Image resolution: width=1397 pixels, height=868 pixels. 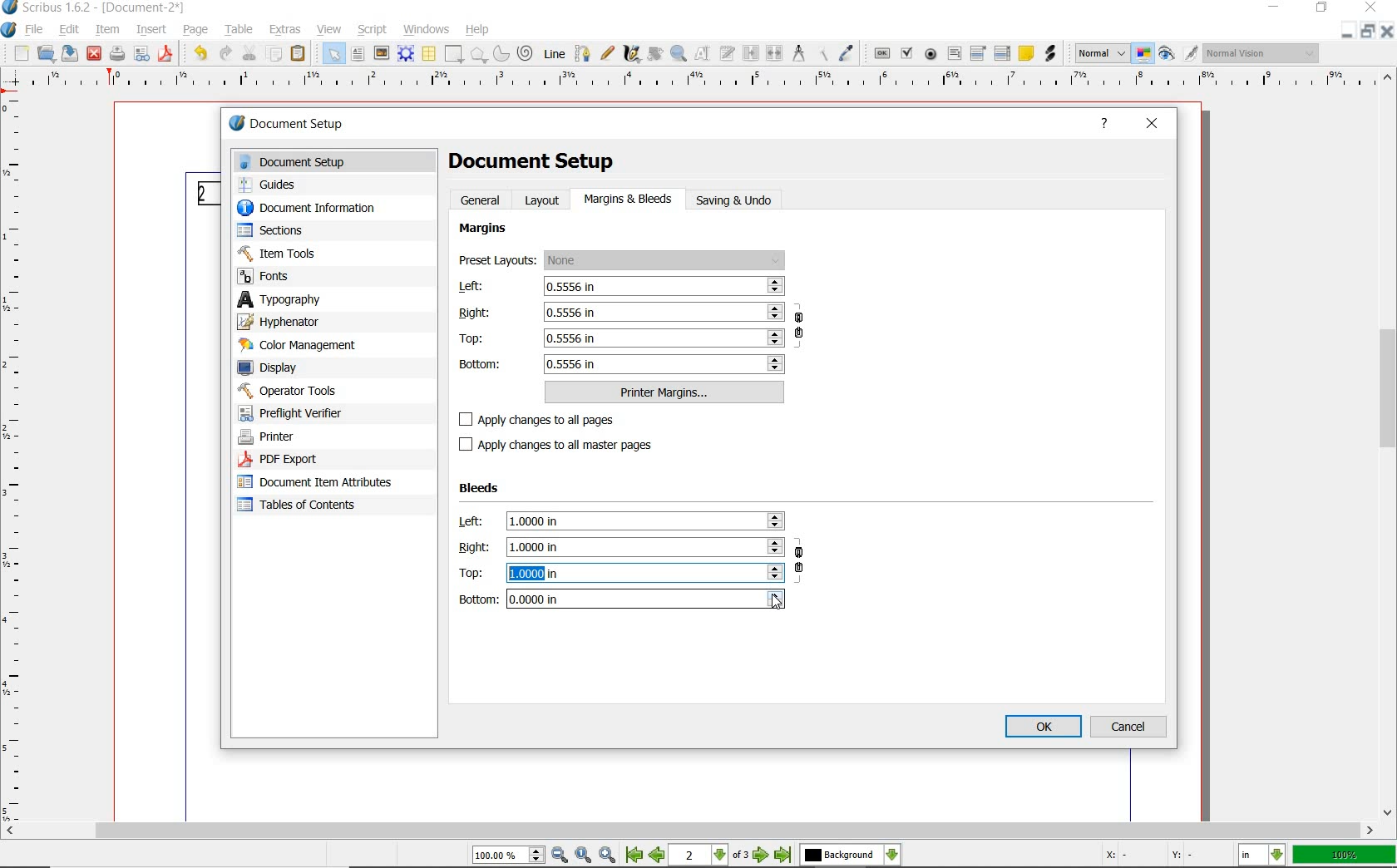 I want to click on table, so click(x=428, y=54).